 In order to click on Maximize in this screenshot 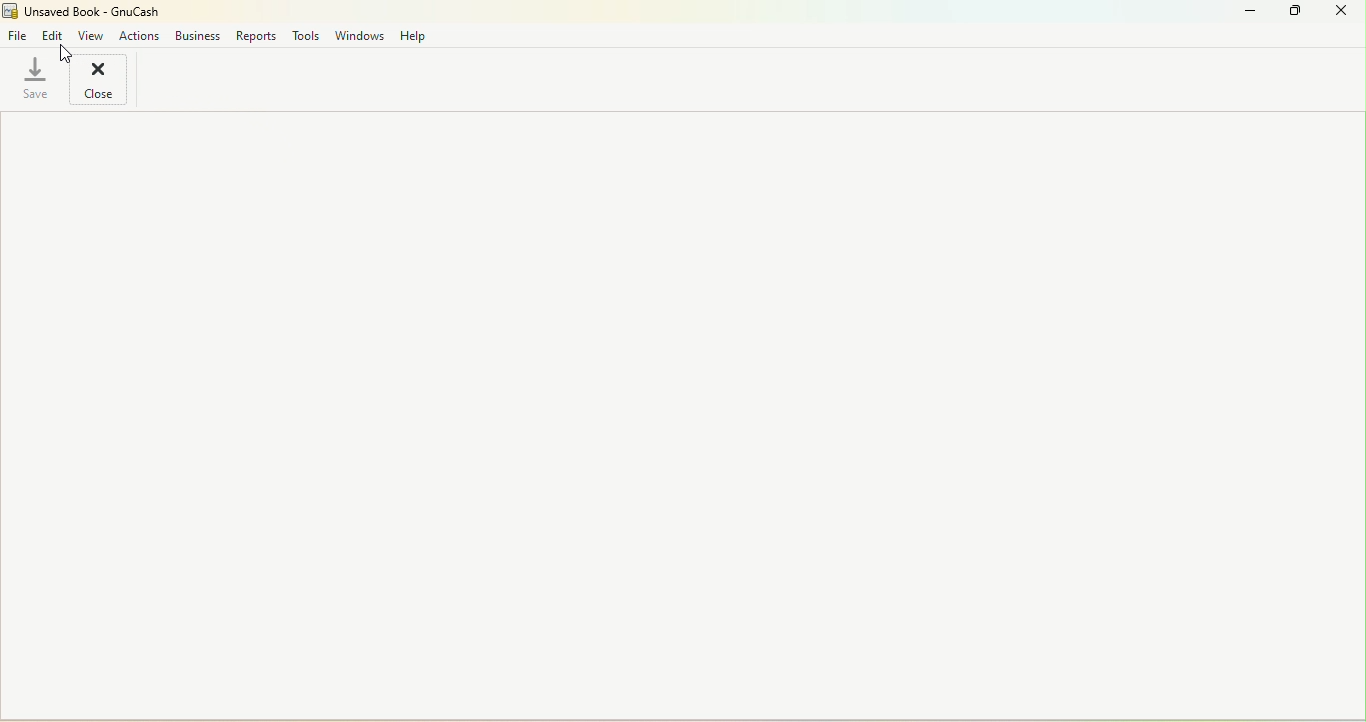, I will do `click(1291, 12)`.